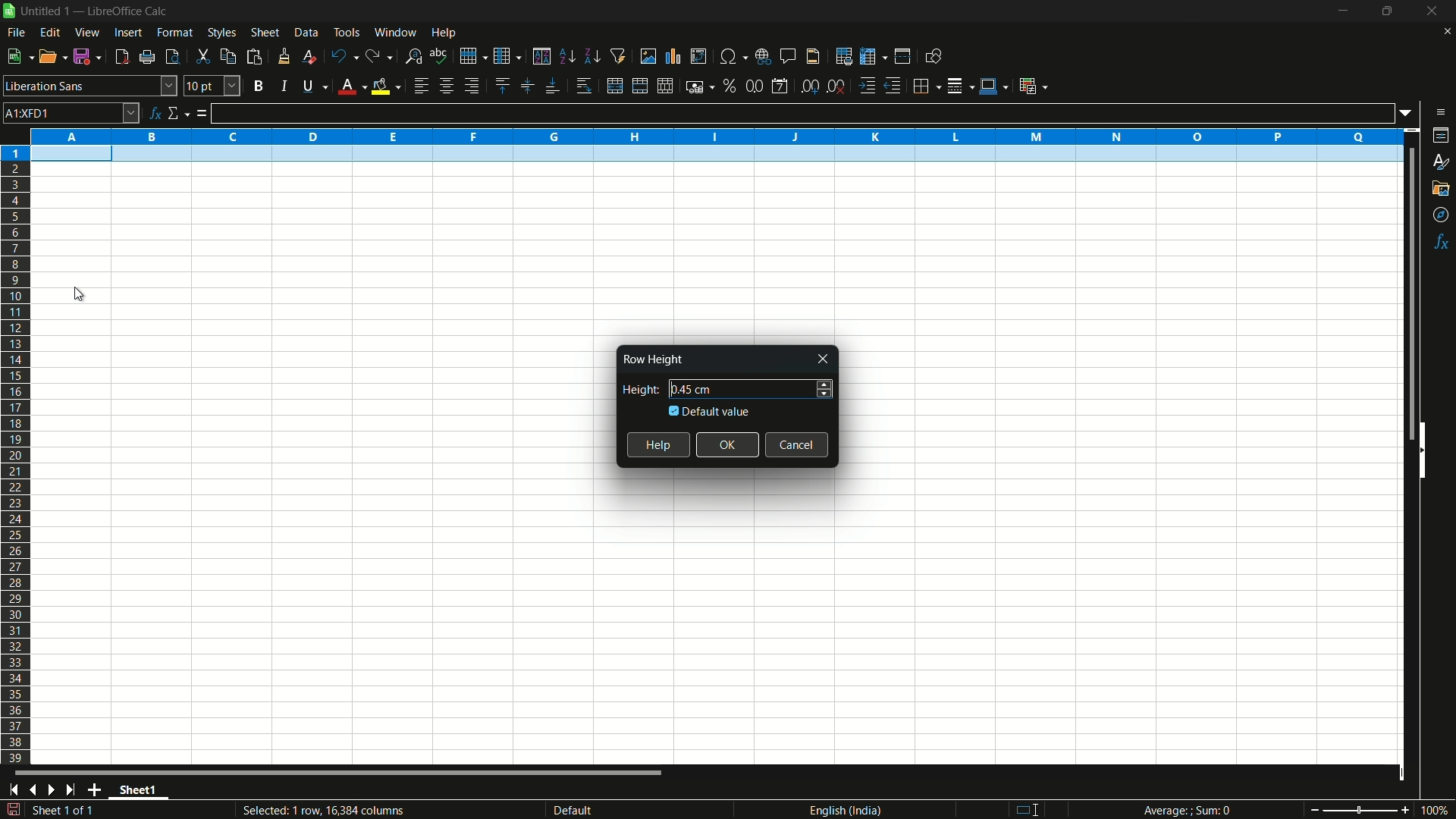  What do you see at coordinates (638, 86) in the screenshot?
I see `merge and center` at bounding box center [638, 86].